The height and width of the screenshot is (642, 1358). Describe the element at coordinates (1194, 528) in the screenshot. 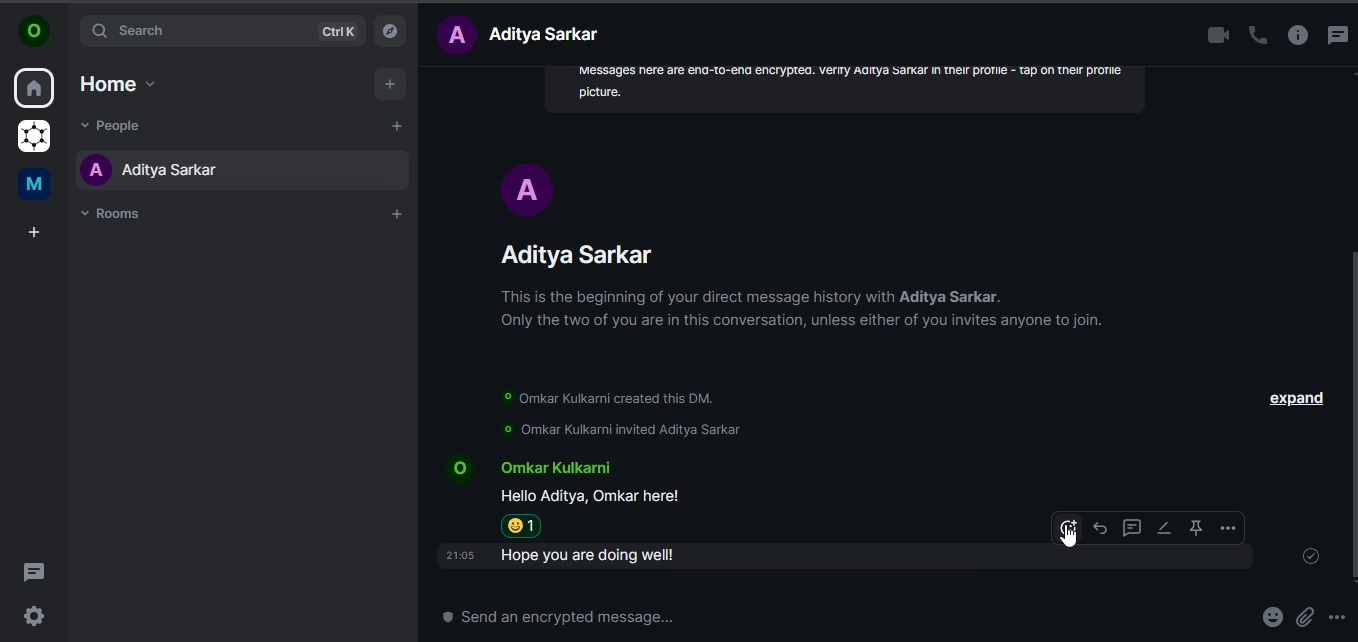

I see `pin` at that location.